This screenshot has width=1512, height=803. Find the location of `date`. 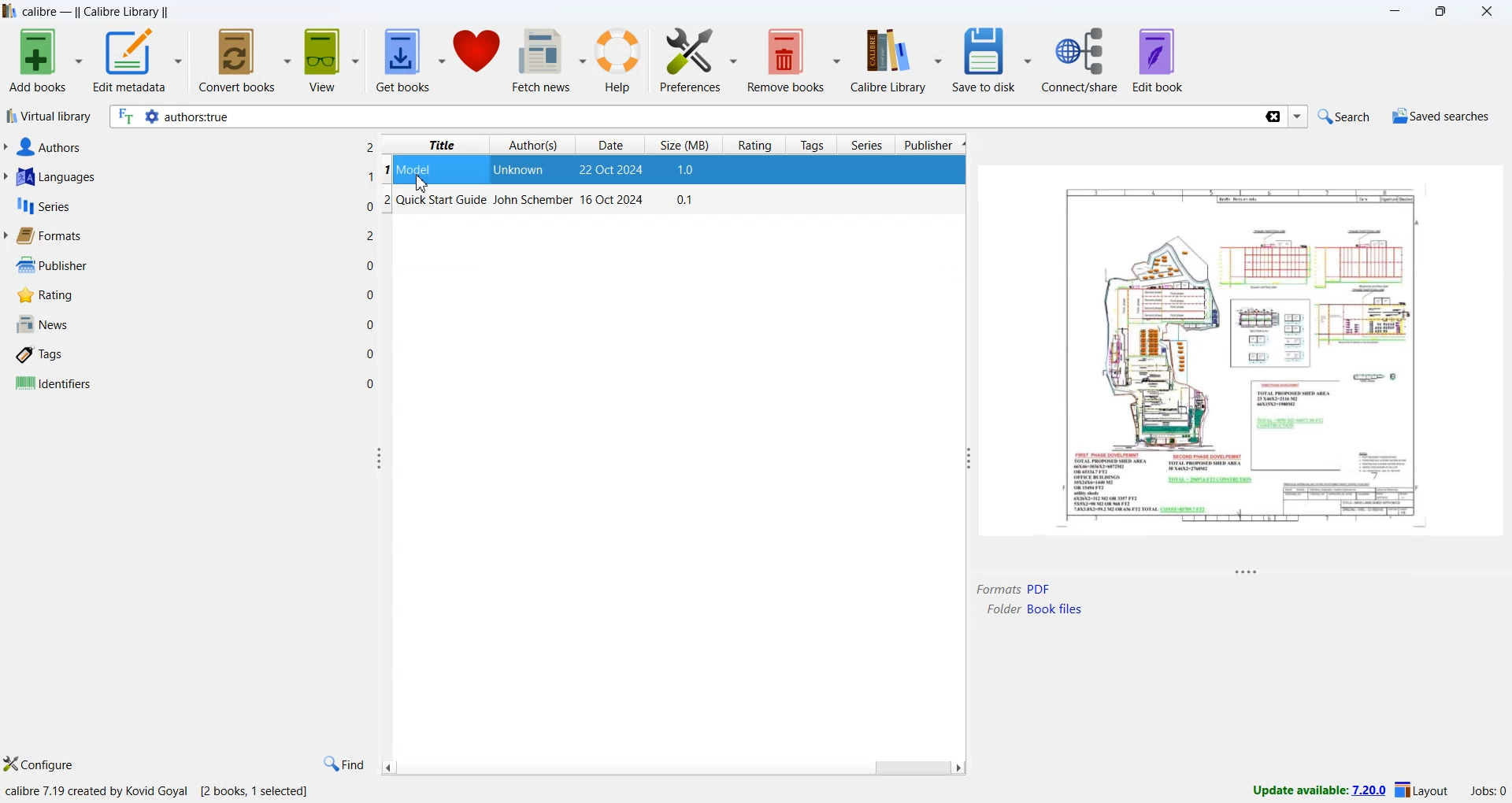

date is located at coordinates (610, 145).